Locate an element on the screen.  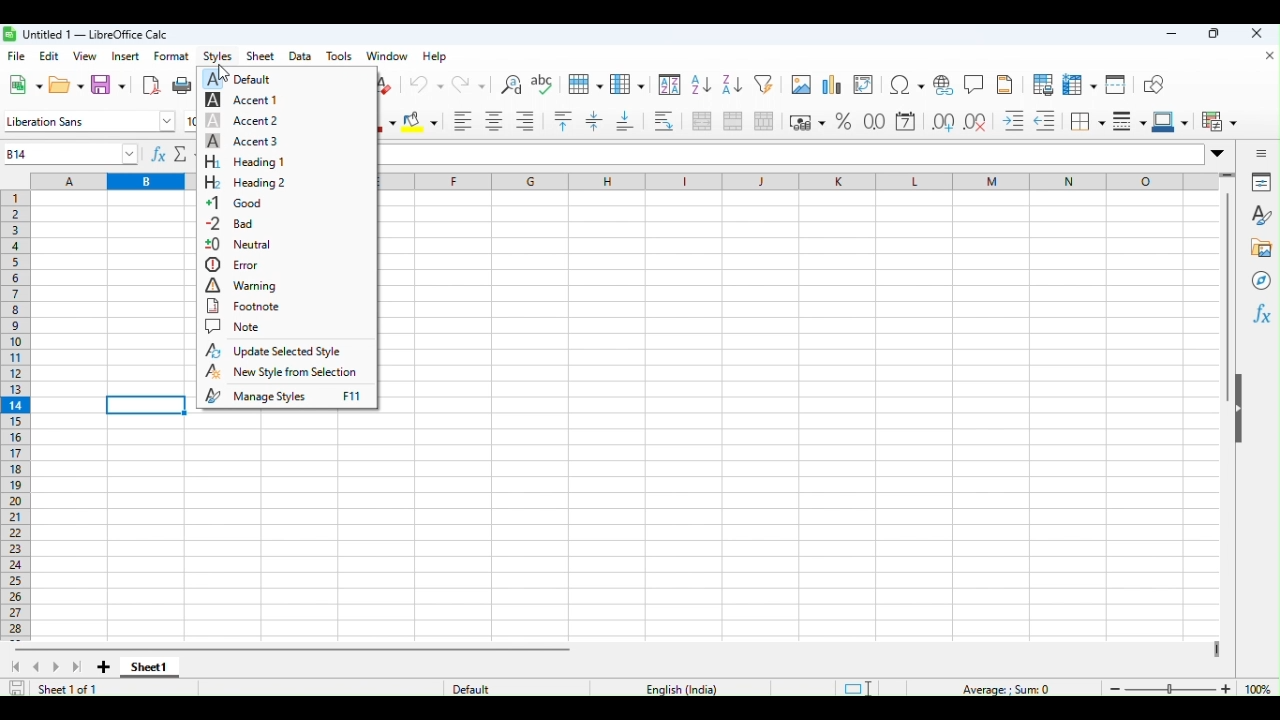
Shift decimal is located at coordinates (973, 123).